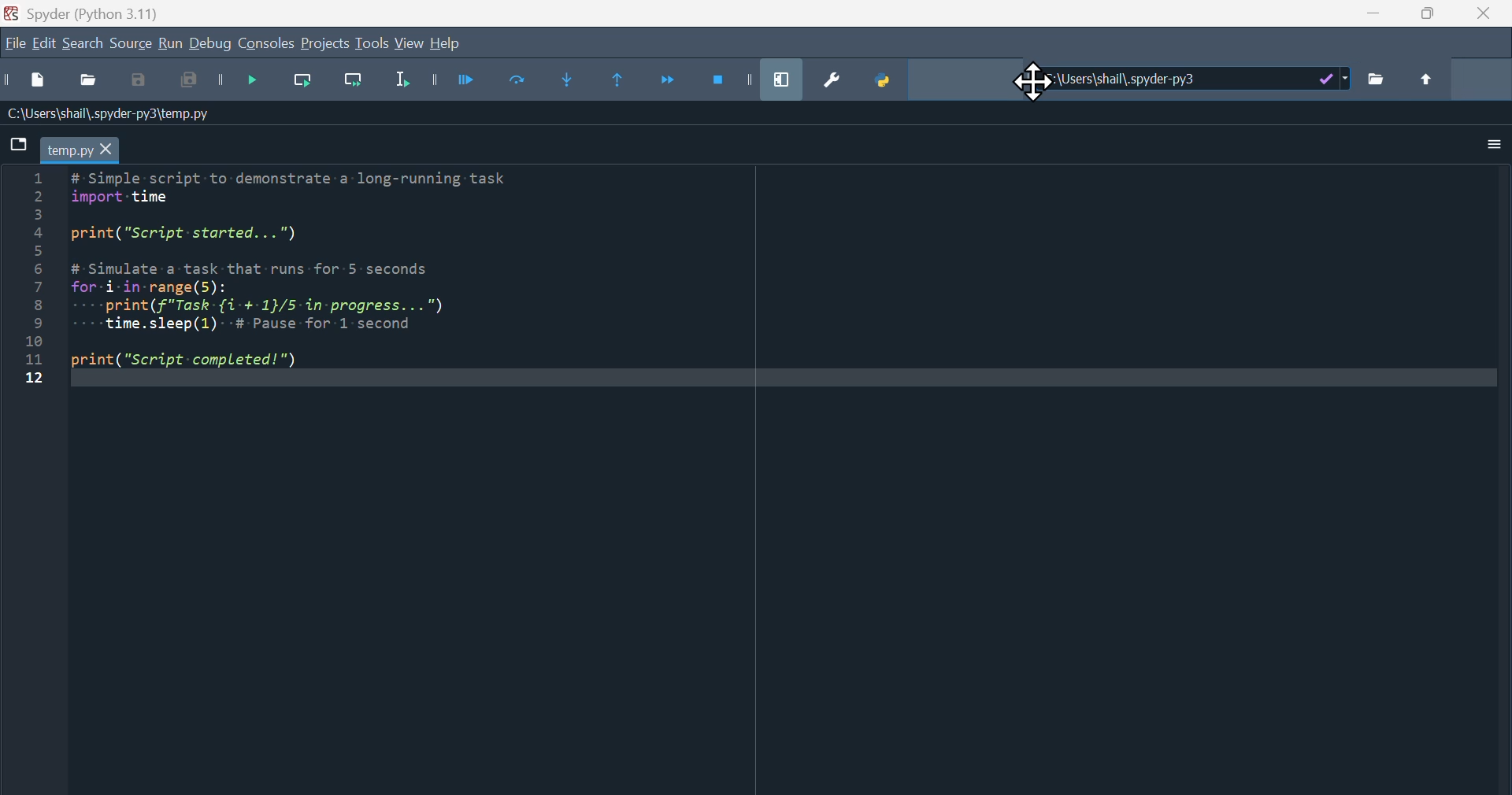  What do you see at coordinates (580, 83) in the screenshot?
I see `Step into function` at bounding box center [580, 83].